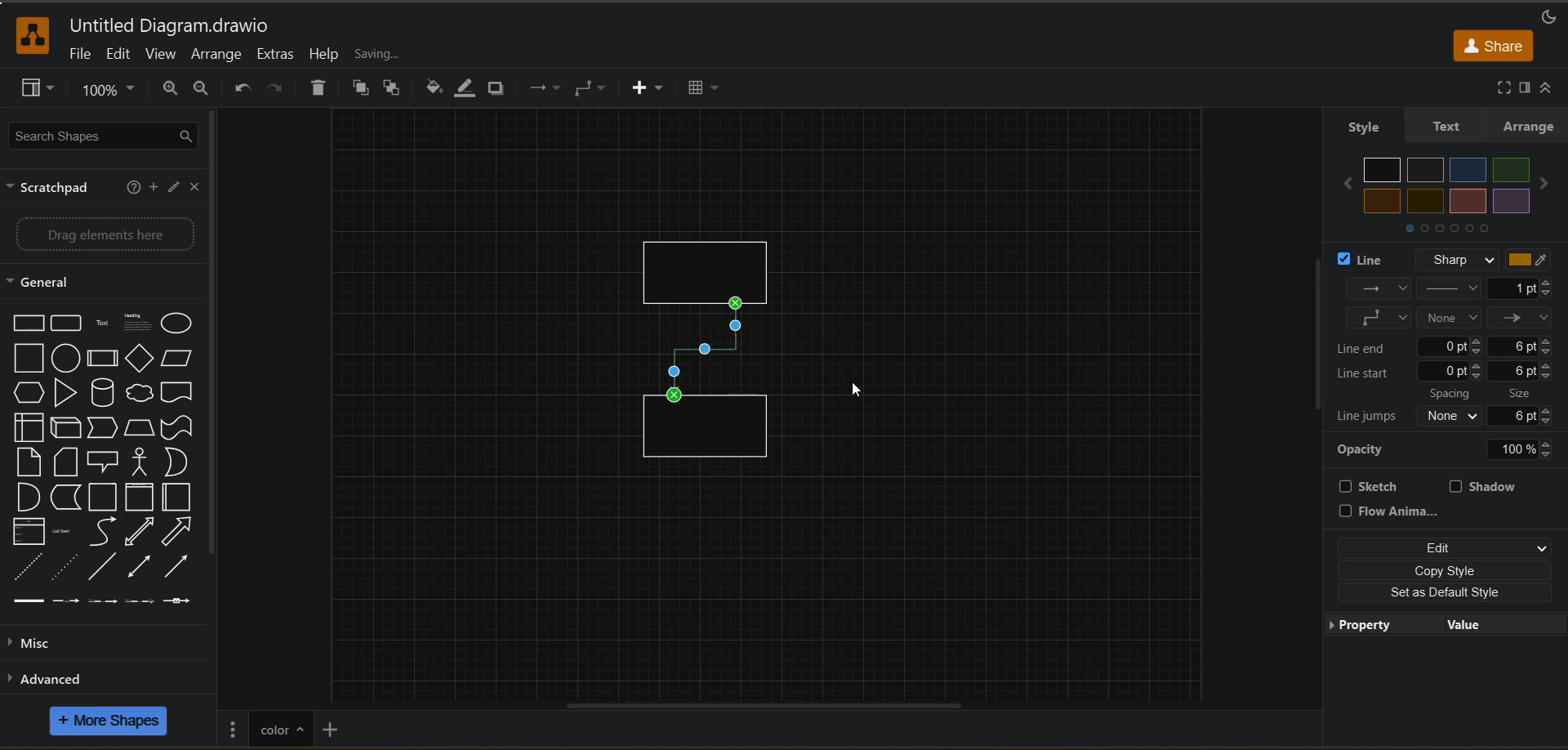 This screenshot has height=750, width=1568. What do you see at coordinates (28, 393) in the screenshot?
I see `Hexagon` at bounding box center [28, 393].